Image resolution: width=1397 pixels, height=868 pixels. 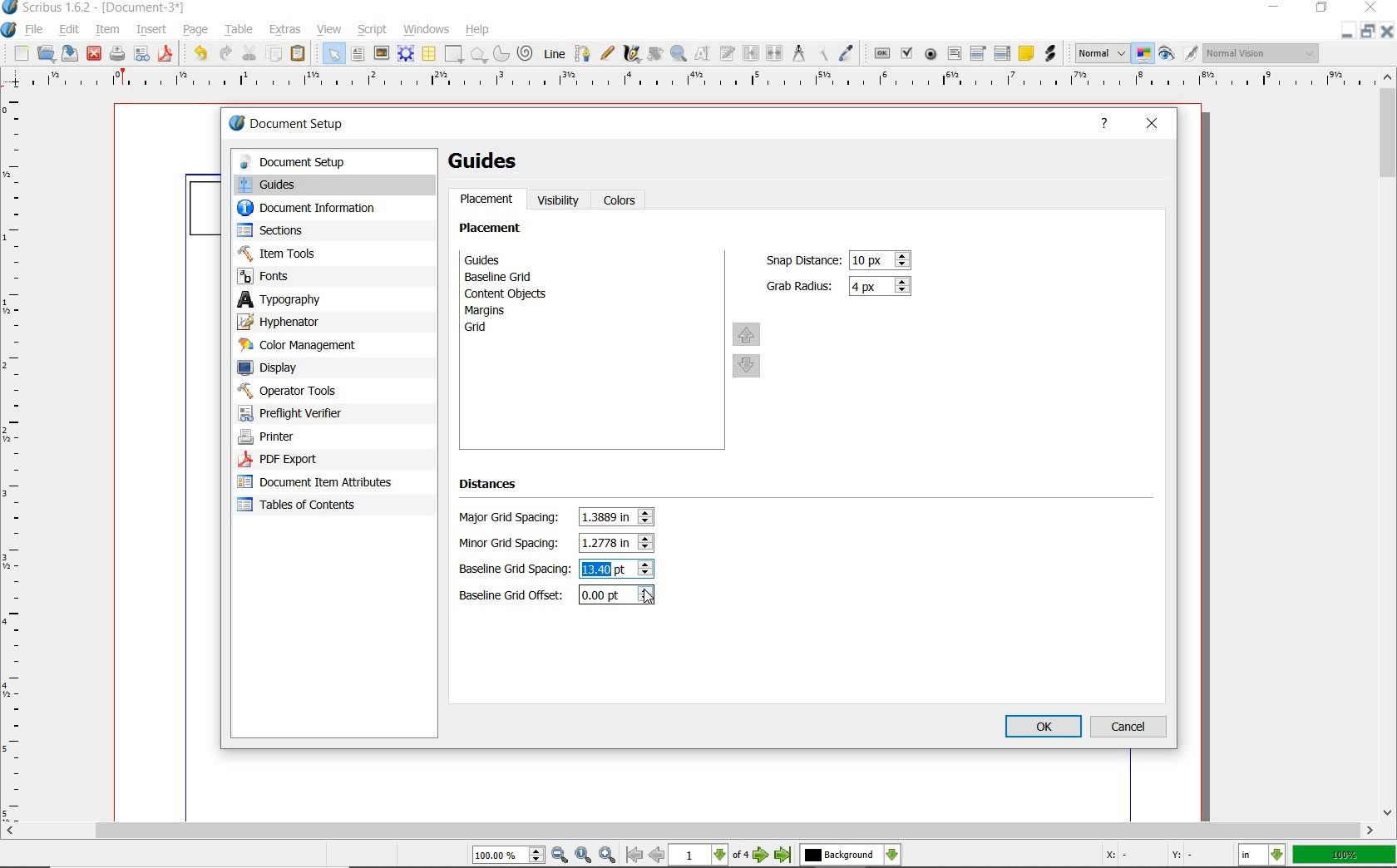 I want to click on go to next page, so click(x=763, y=856).